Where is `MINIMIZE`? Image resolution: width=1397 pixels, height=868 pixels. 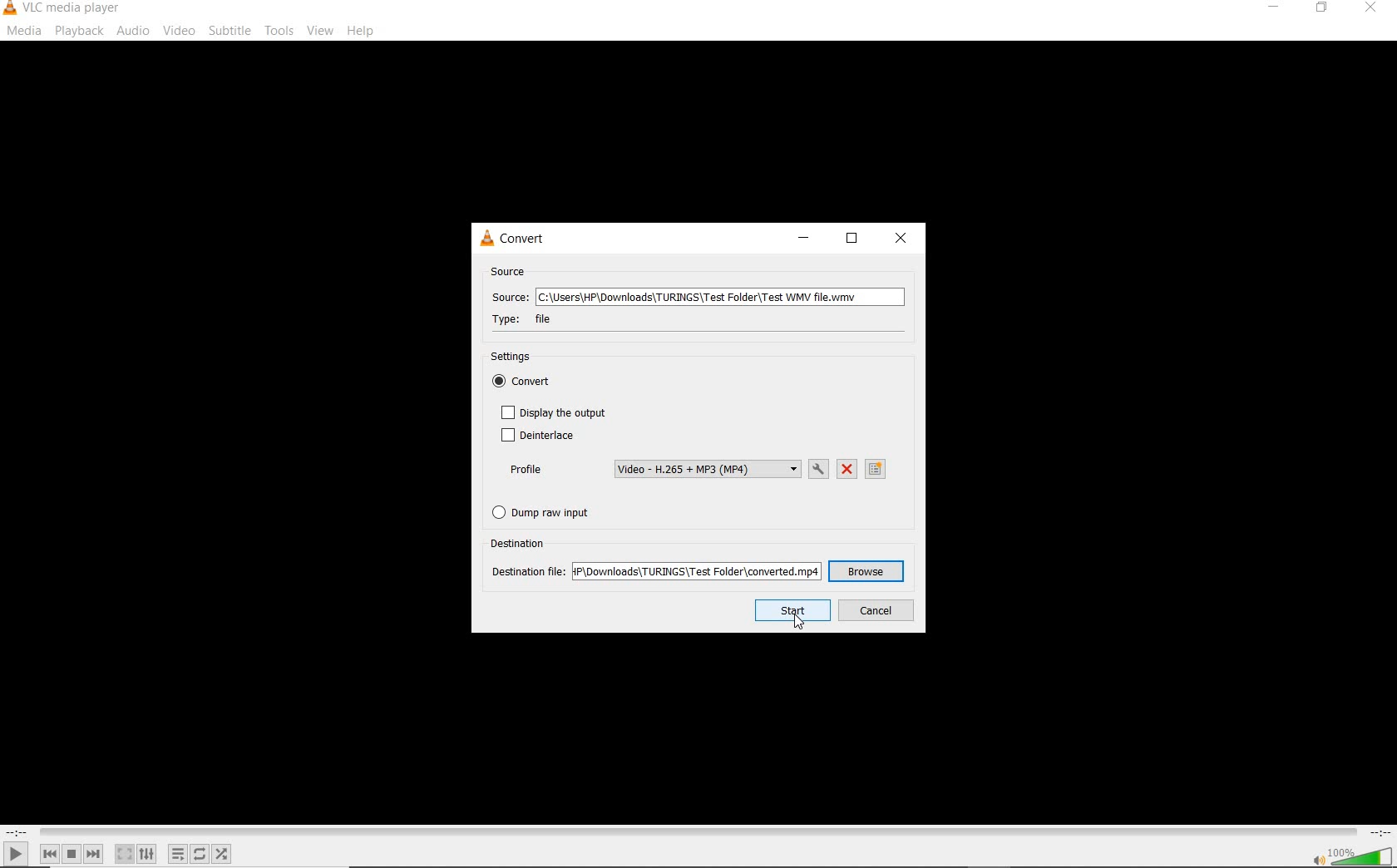
MINIMIZE is located at coordinates (801, 240).